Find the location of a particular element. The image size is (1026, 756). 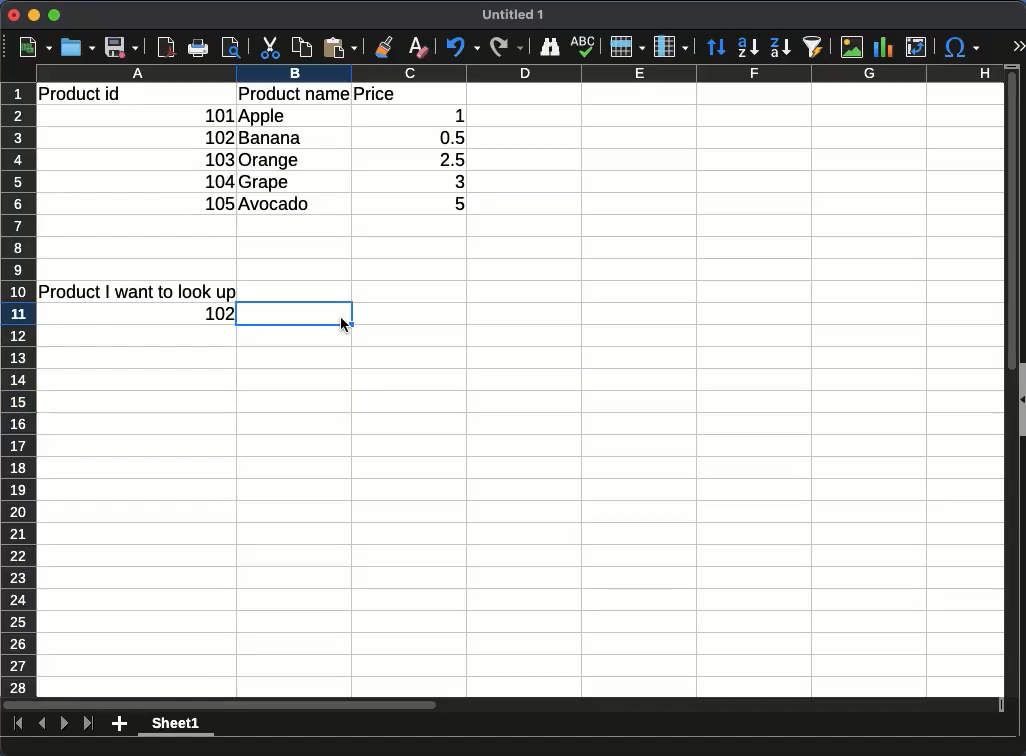

paste is located at coordinates (340, 47).